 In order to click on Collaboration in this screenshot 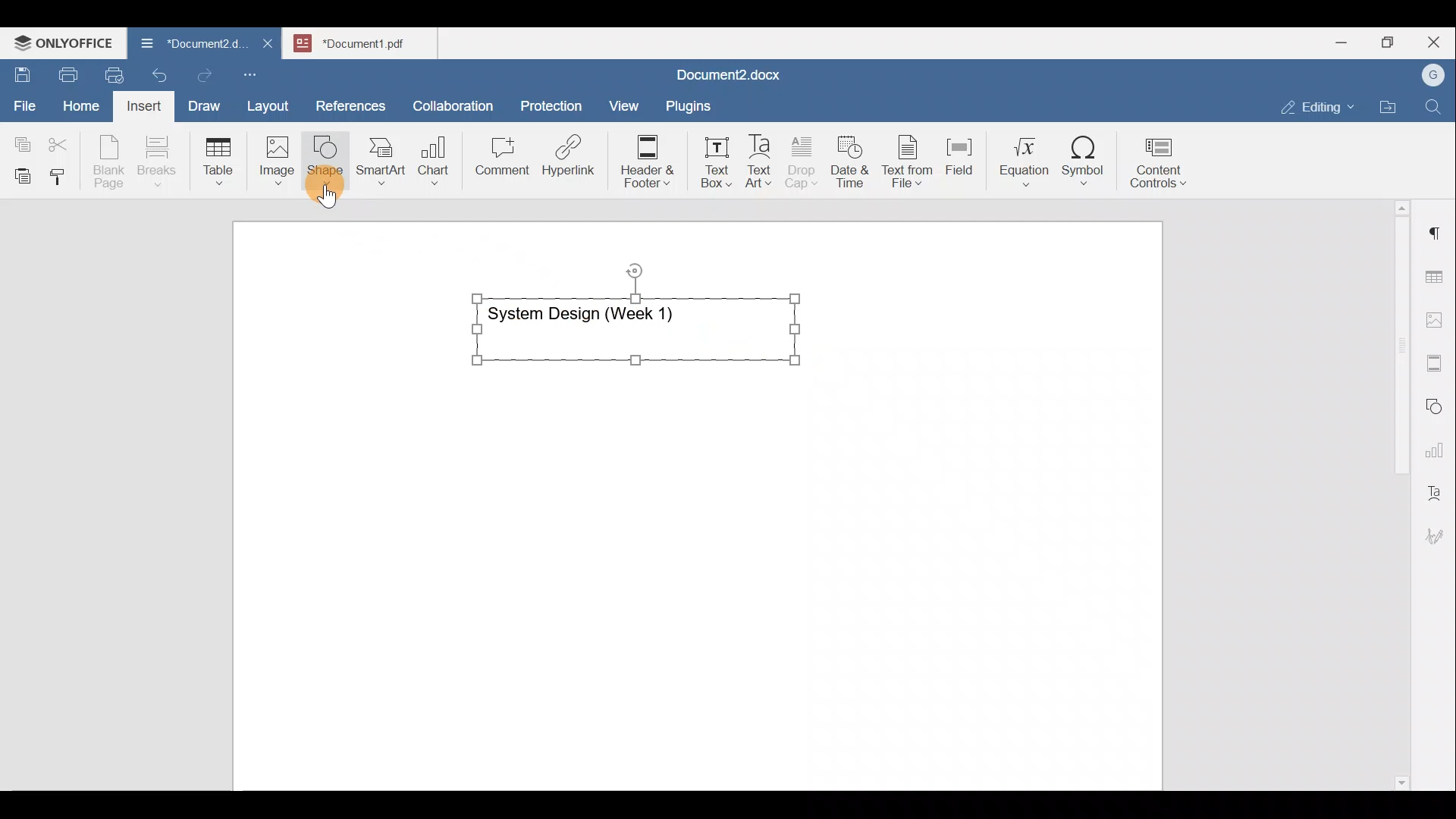, I will do `click(450, 98)`.